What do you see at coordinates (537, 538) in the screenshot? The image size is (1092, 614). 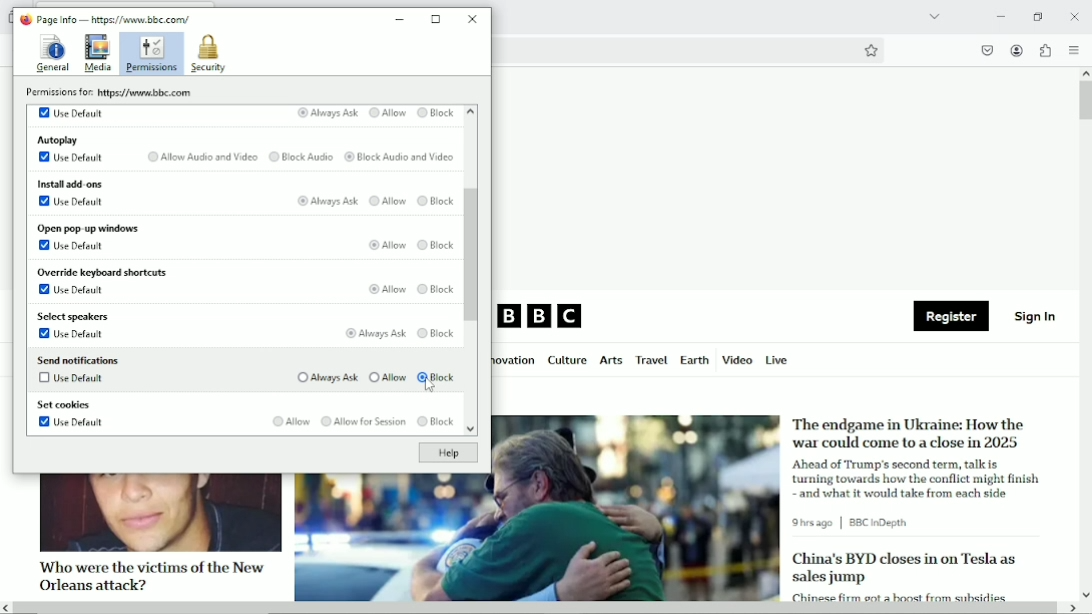 I see `image` at bounding box center [537, 538].